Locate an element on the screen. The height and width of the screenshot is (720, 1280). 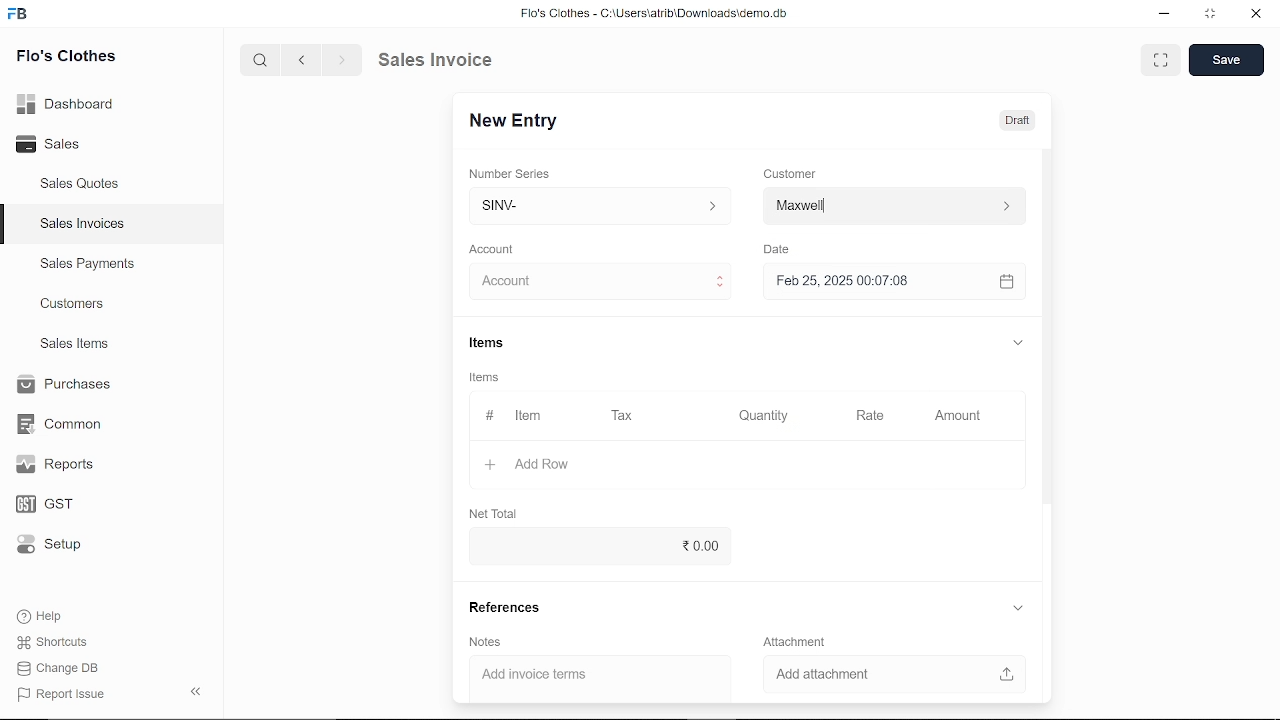
Reports is located at coordinates (60, 465).